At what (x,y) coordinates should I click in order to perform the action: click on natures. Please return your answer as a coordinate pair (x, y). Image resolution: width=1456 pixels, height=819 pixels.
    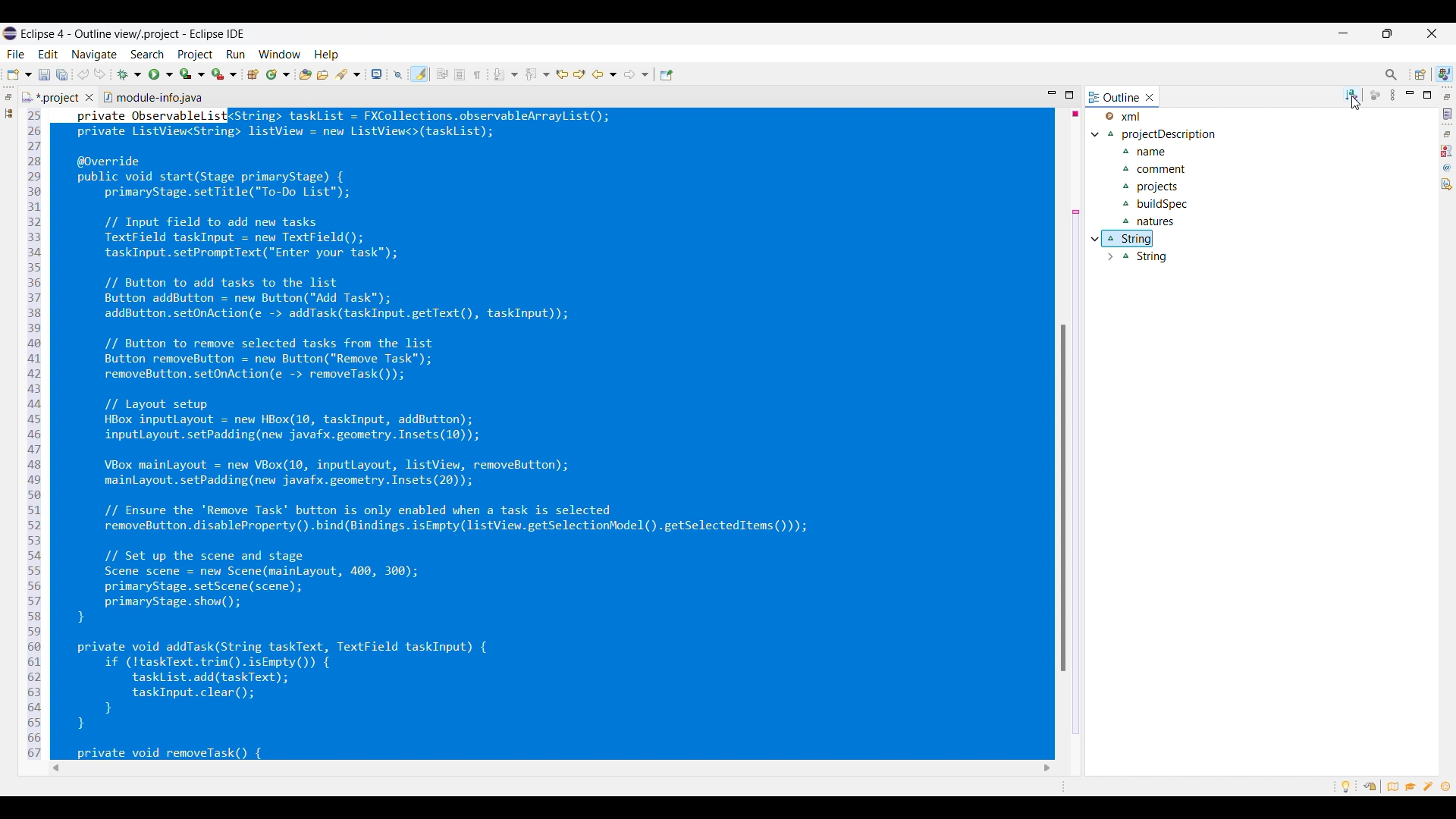
    Looking at the image, I should click on (1151, 220).